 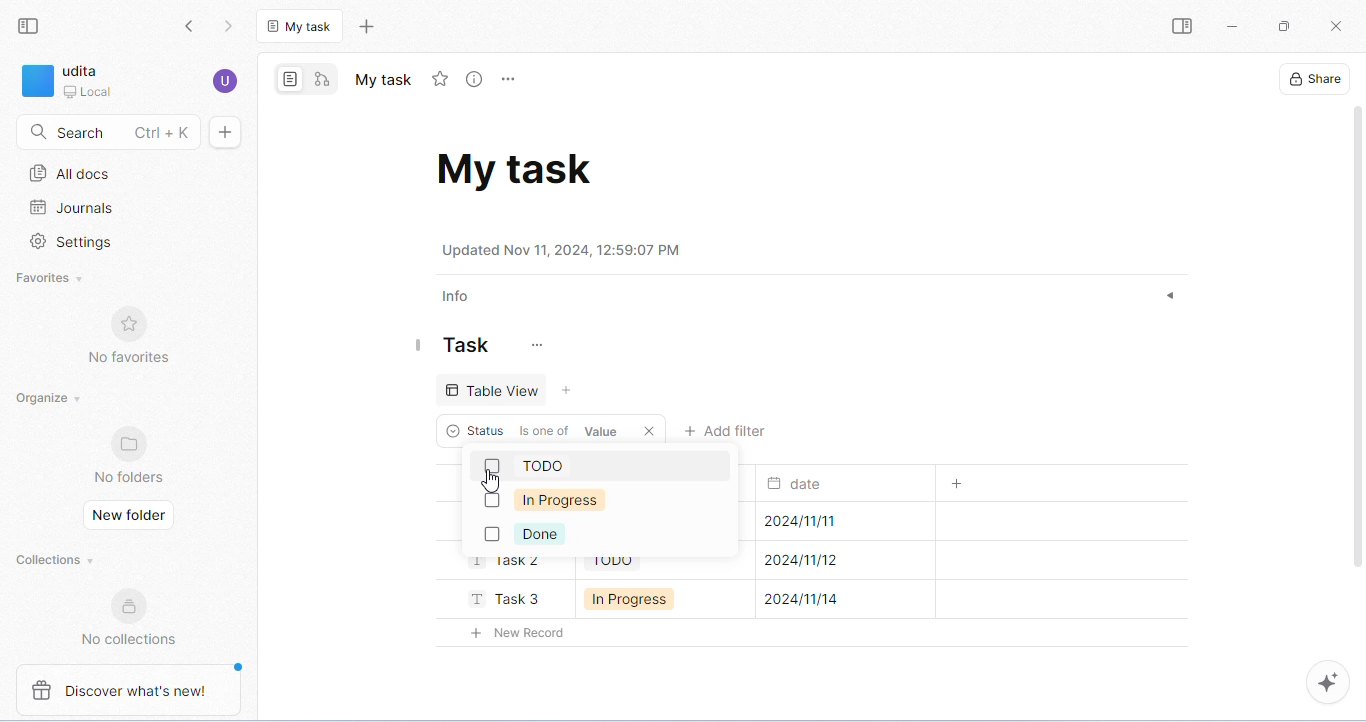 What do you see at coordinates (125, 605) in the screenshot?
I see `collections logo` at bounding box center [125, 605].